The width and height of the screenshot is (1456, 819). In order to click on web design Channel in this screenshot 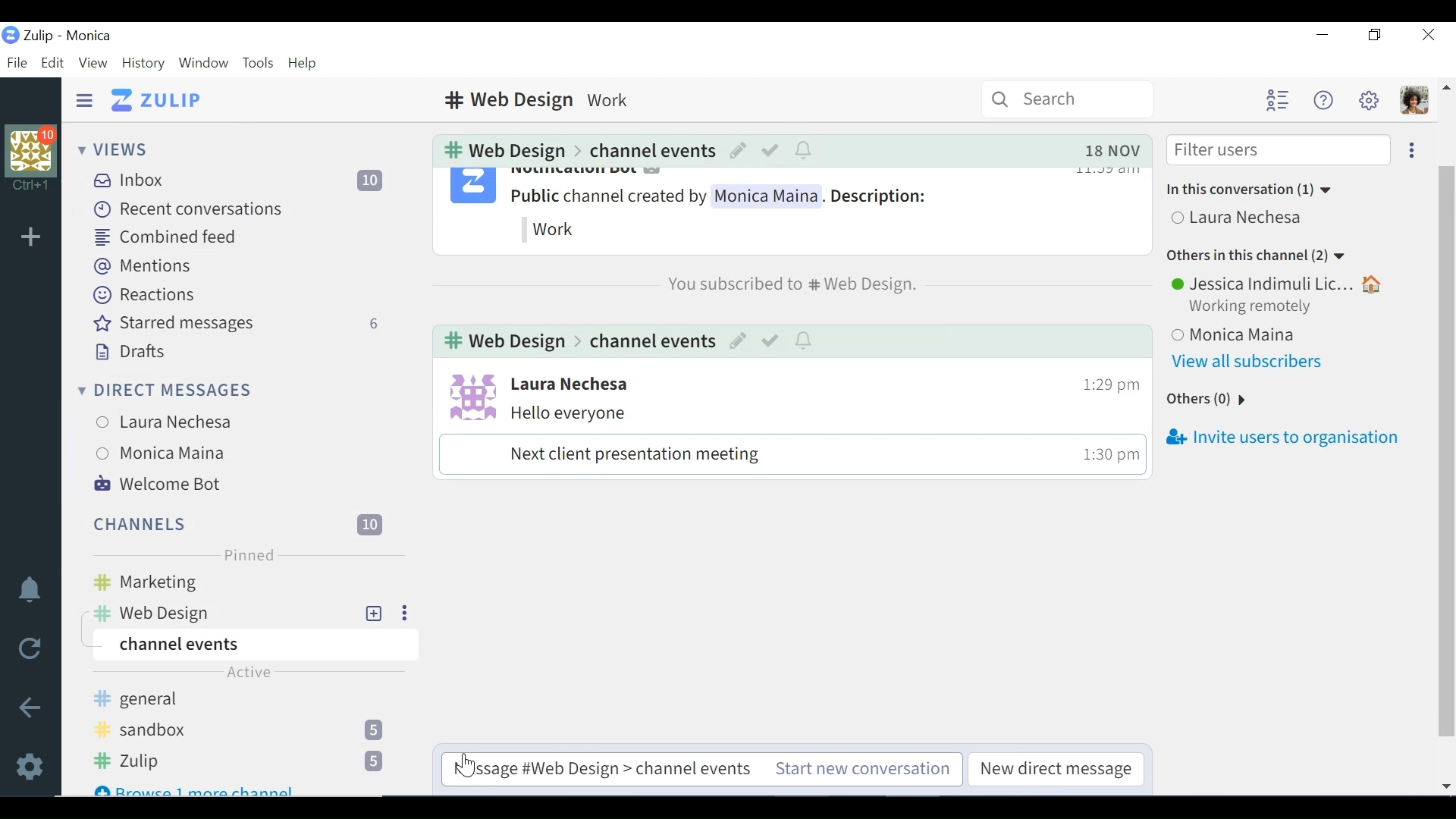, I will do `click(500, 150)`.